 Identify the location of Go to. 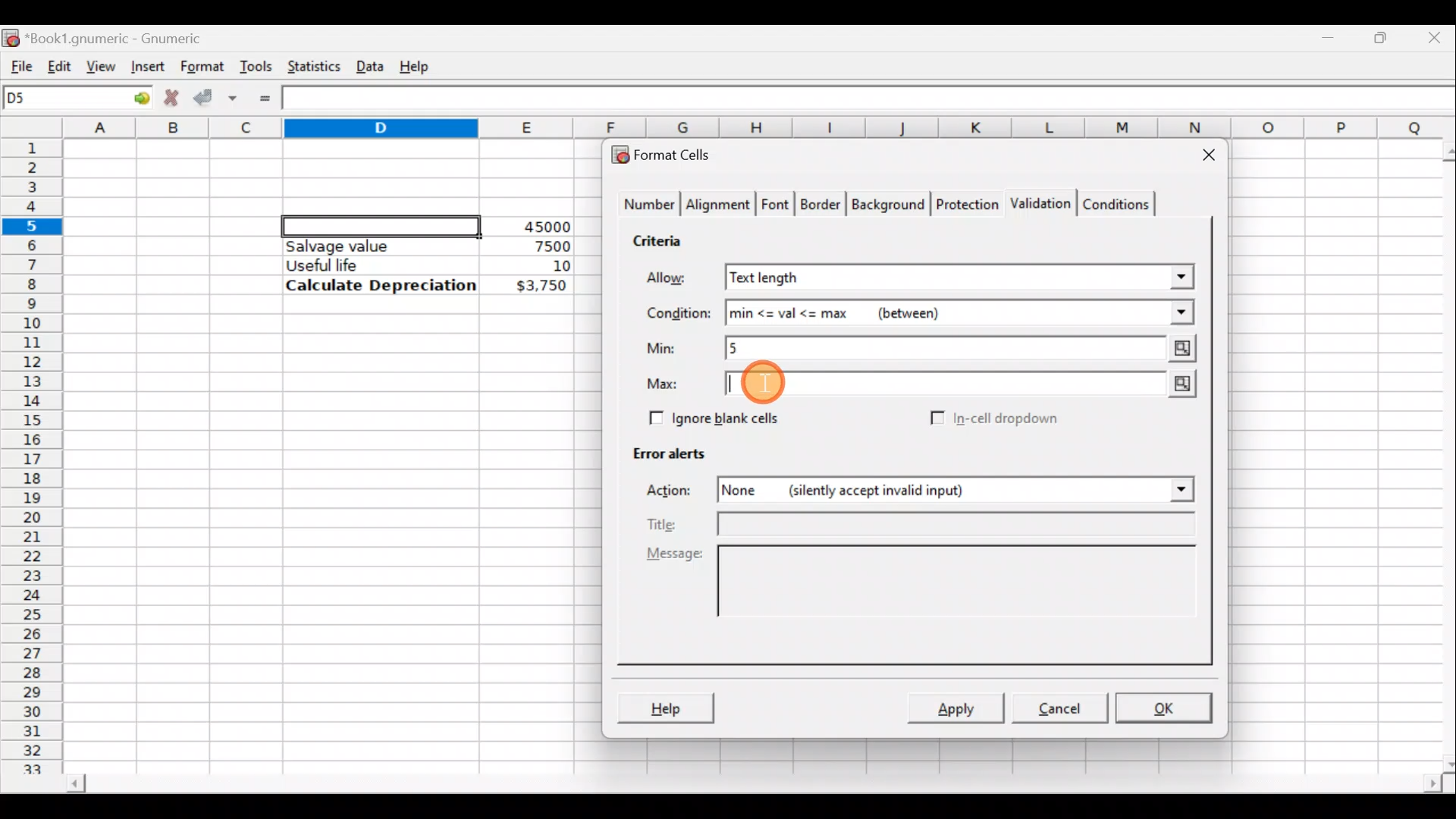
(136, 99).